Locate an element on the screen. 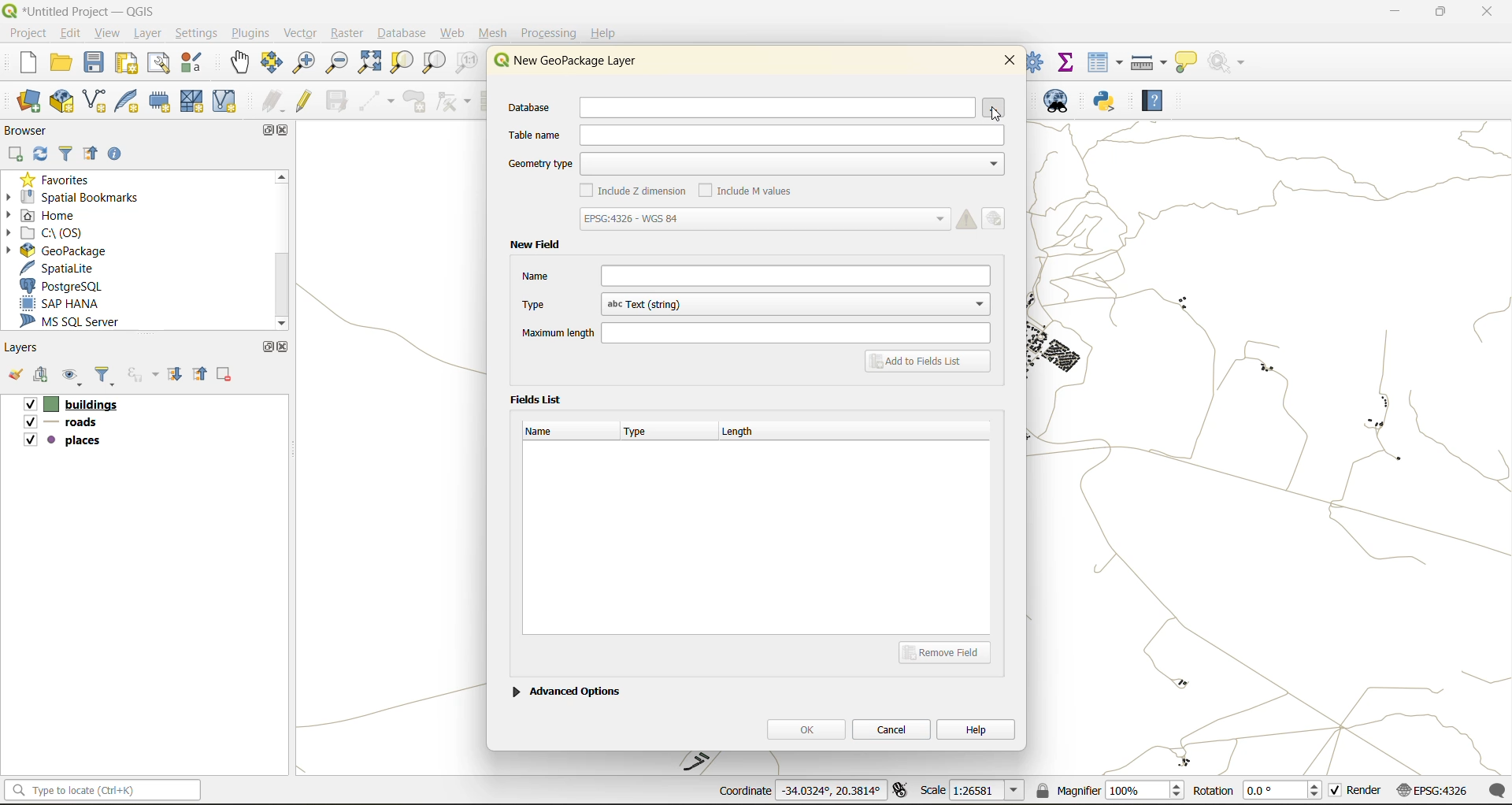 This screenshot has height=805, width=1512. new is located at coordinates (20, 65).